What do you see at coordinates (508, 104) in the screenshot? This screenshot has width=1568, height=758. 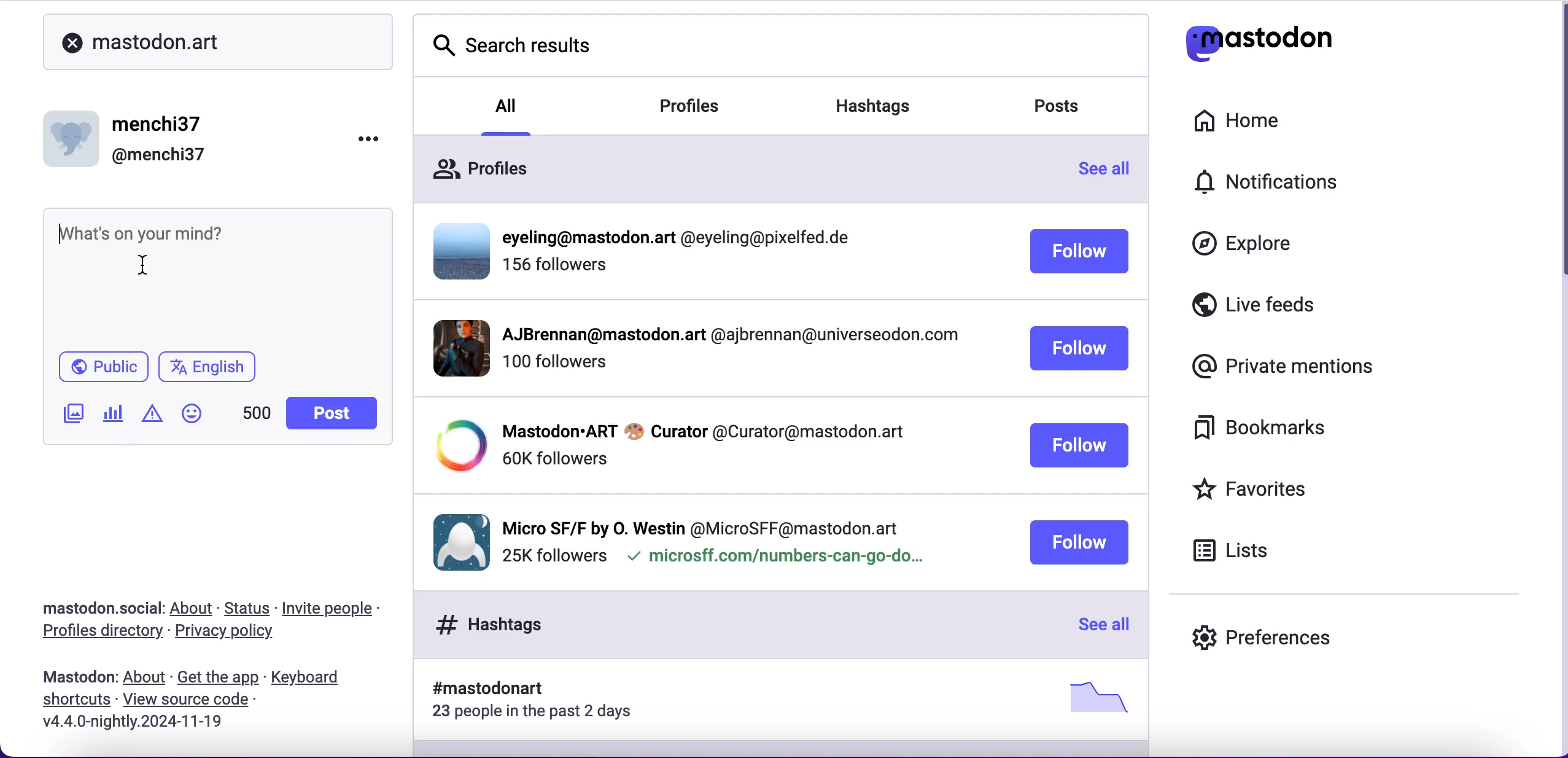 I see `all` at bounding box center [508, 104].